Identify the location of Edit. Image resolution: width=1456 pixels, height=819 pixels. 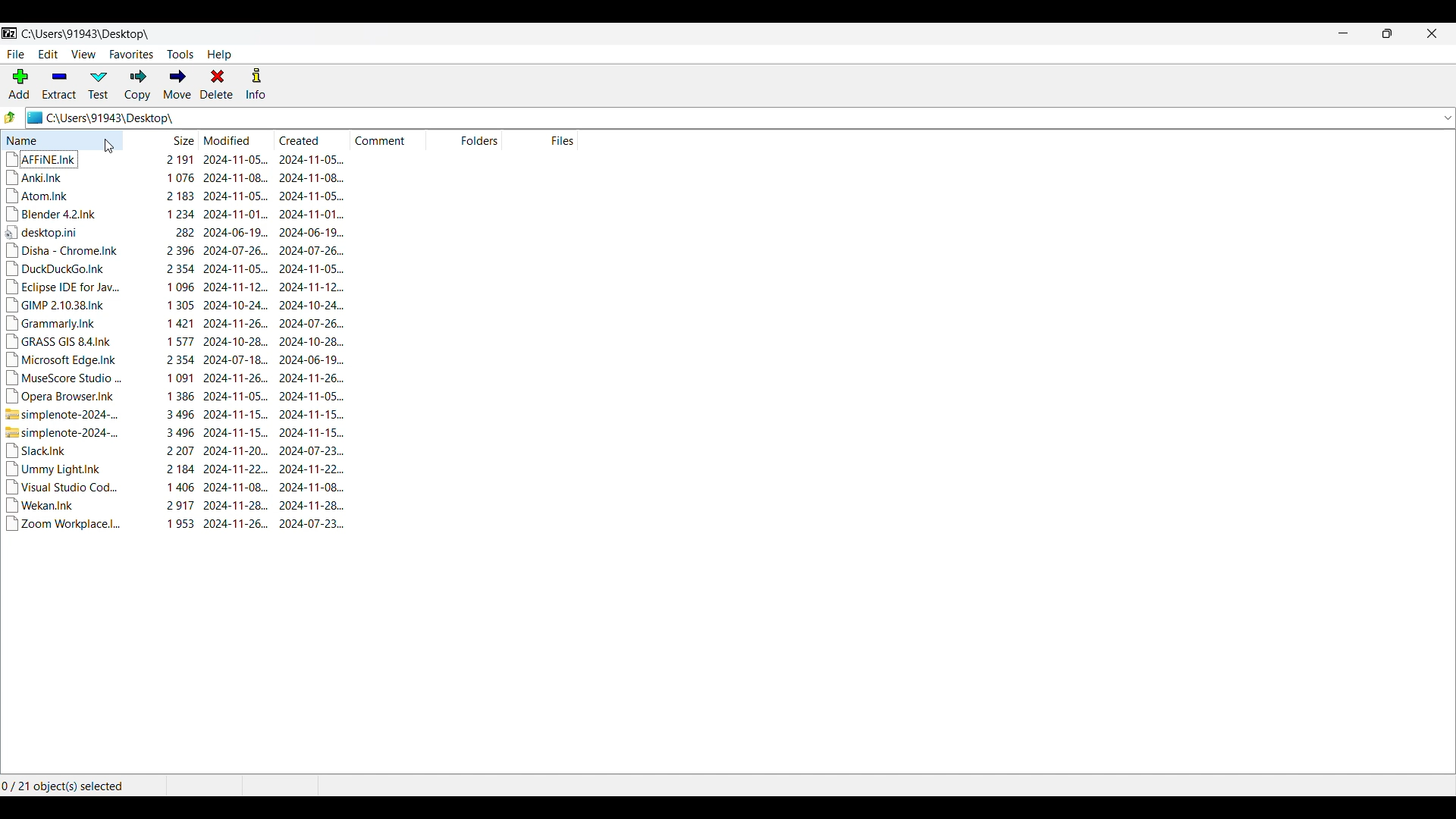
(49, 54).